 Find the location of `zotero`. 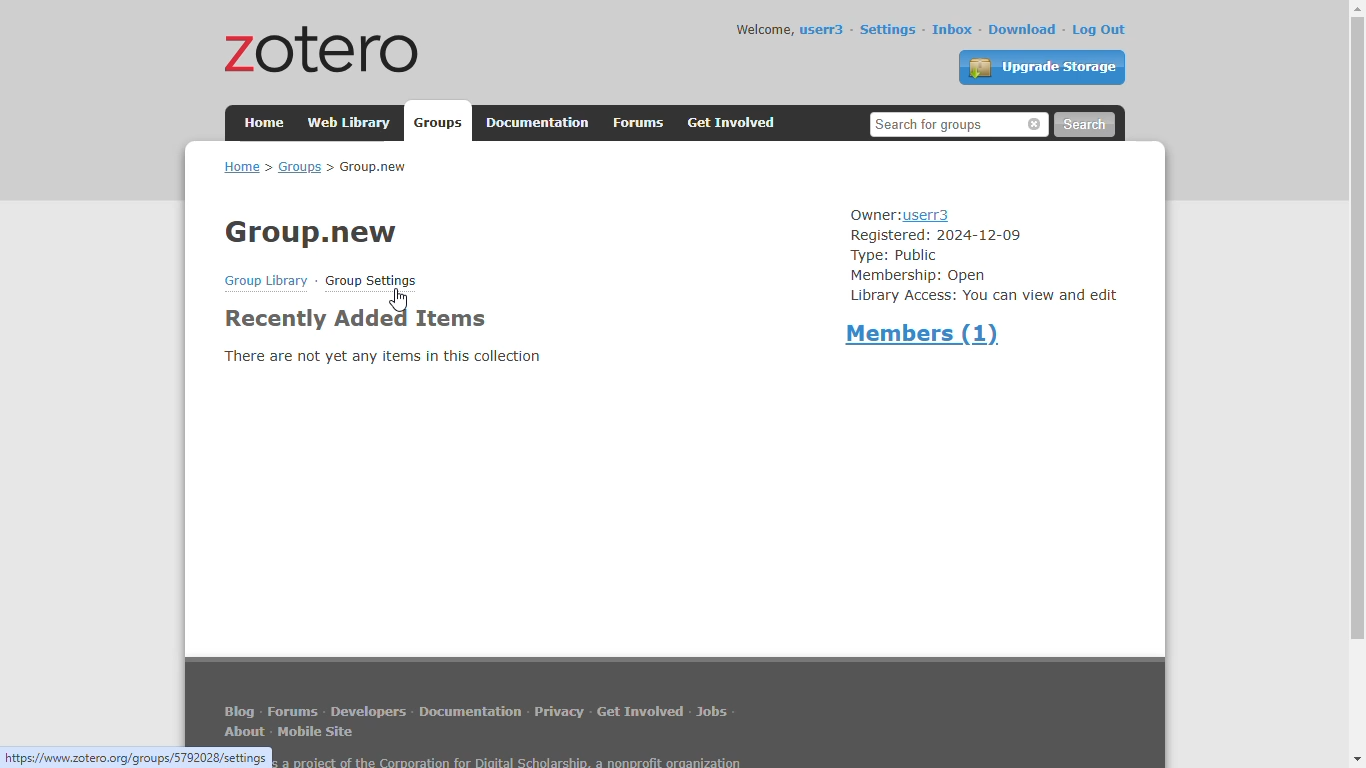

zotero is located at coordinates (323, 48).